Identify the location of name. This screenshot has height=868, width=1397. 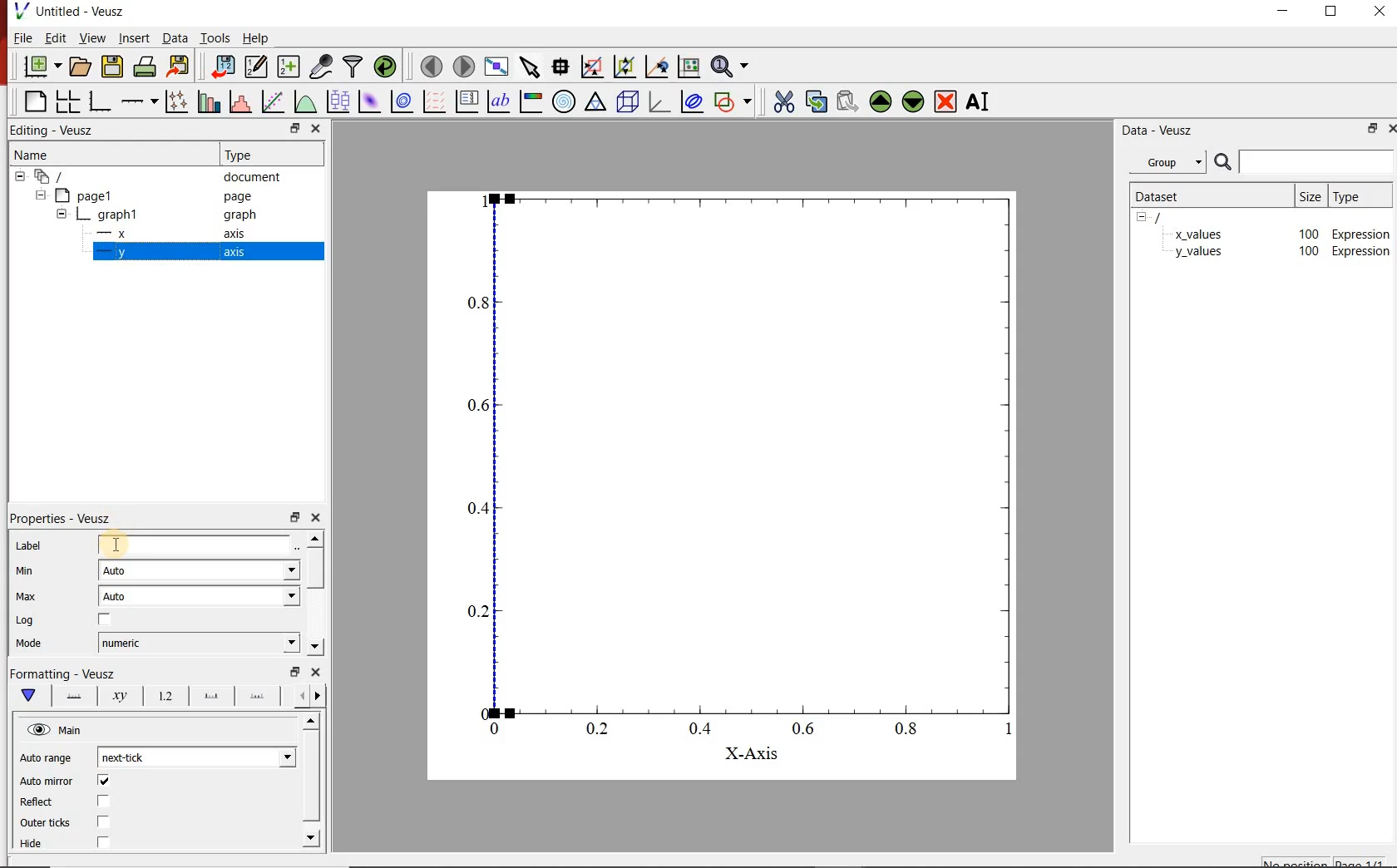
(33, 156).